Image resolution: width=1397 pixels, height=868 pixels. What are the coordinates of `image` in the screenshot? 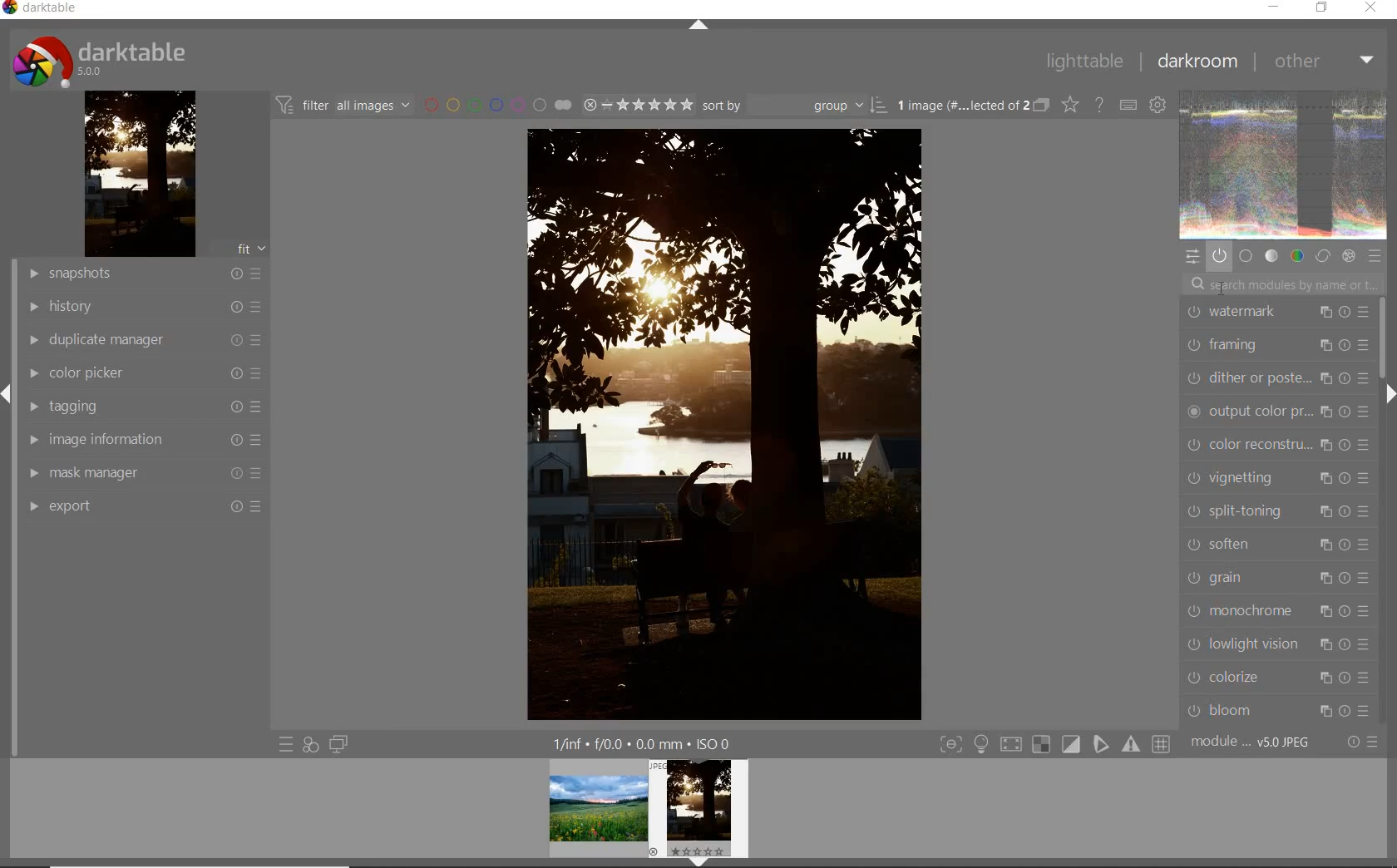 It's located at (1284, 167).